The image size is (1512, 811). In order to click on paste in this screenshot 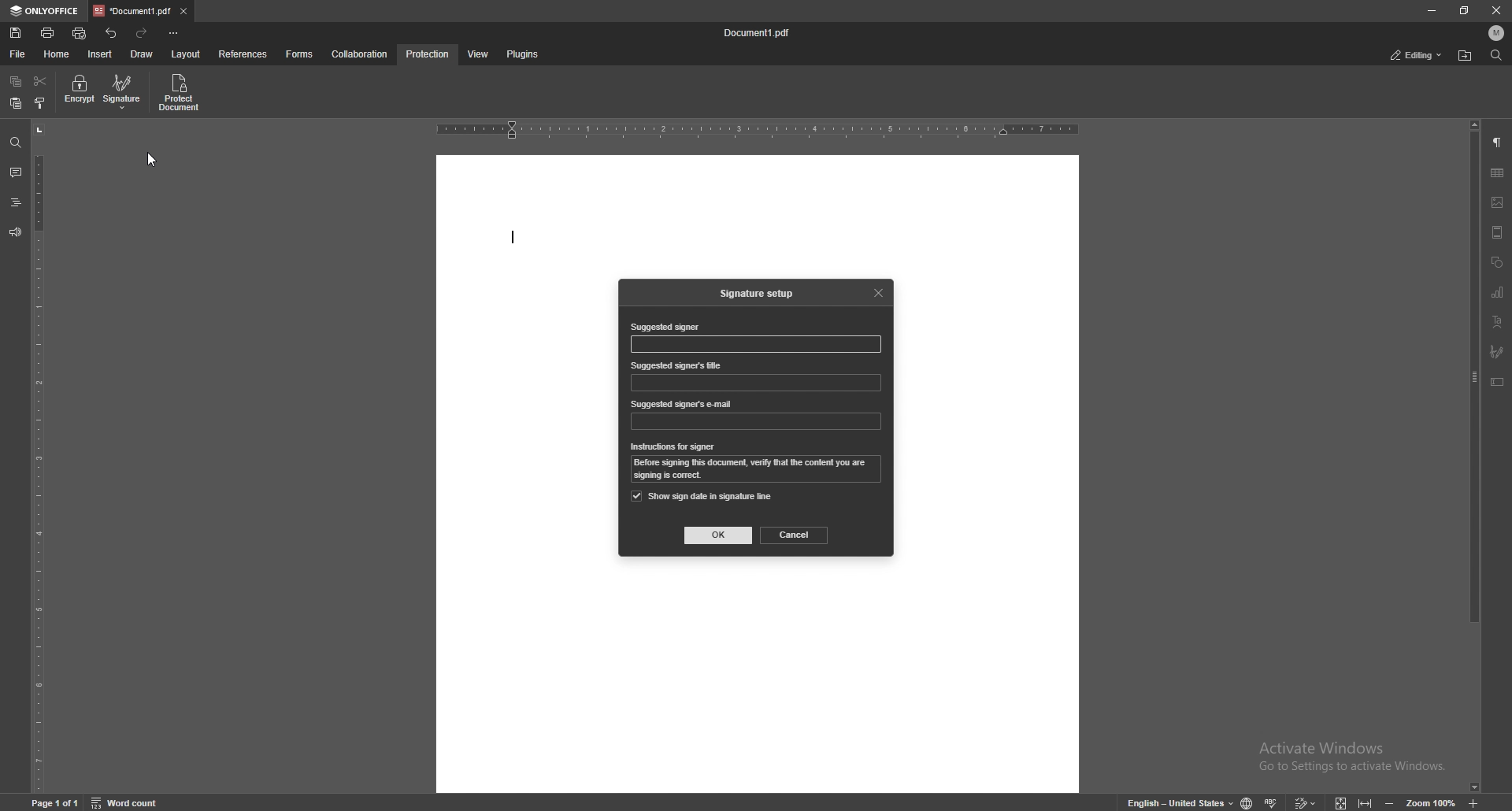, I will do `click(15, 104)`.